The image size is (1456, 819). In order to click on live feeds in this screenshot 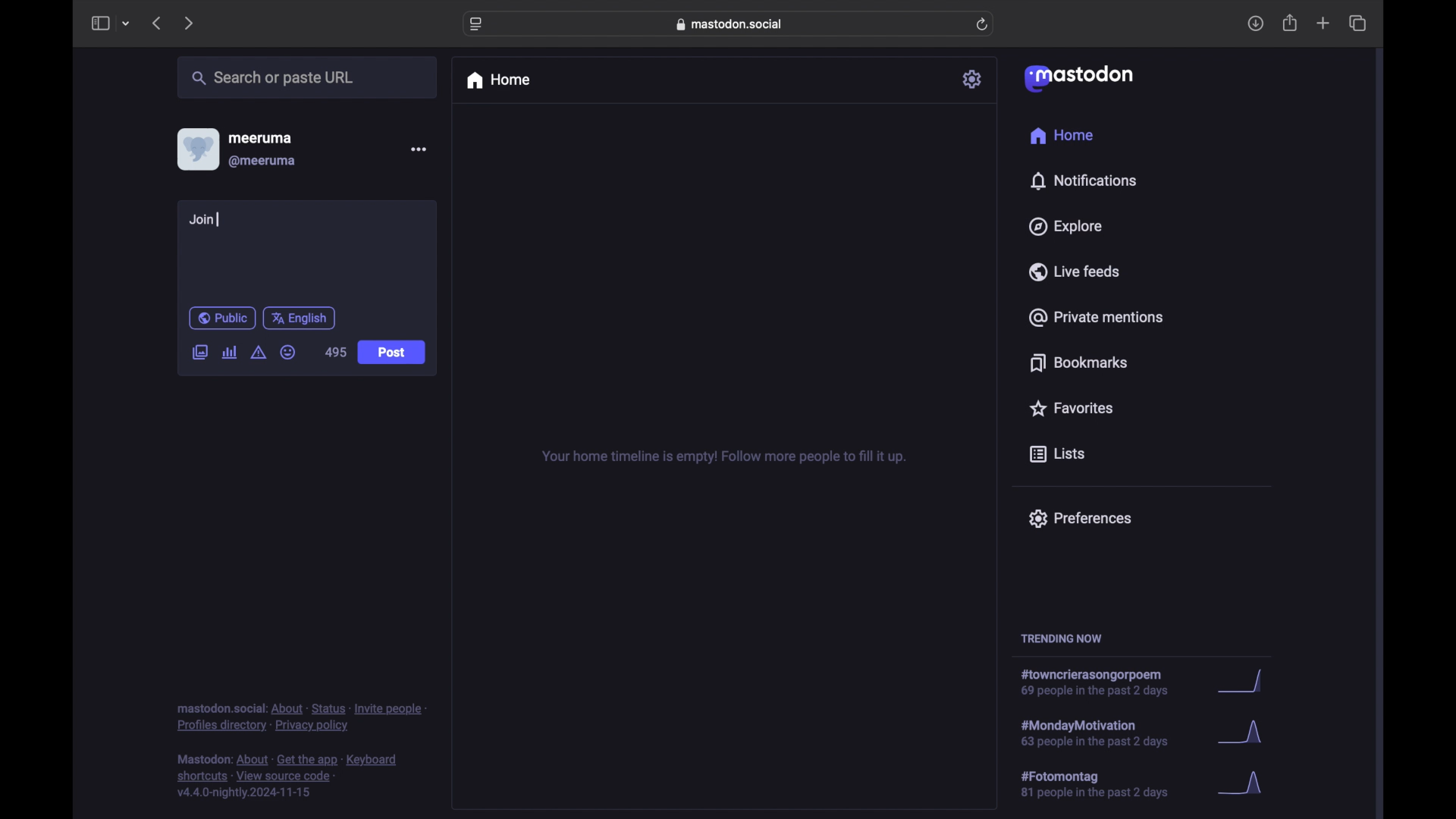, I will do `click(1075, 271)`.